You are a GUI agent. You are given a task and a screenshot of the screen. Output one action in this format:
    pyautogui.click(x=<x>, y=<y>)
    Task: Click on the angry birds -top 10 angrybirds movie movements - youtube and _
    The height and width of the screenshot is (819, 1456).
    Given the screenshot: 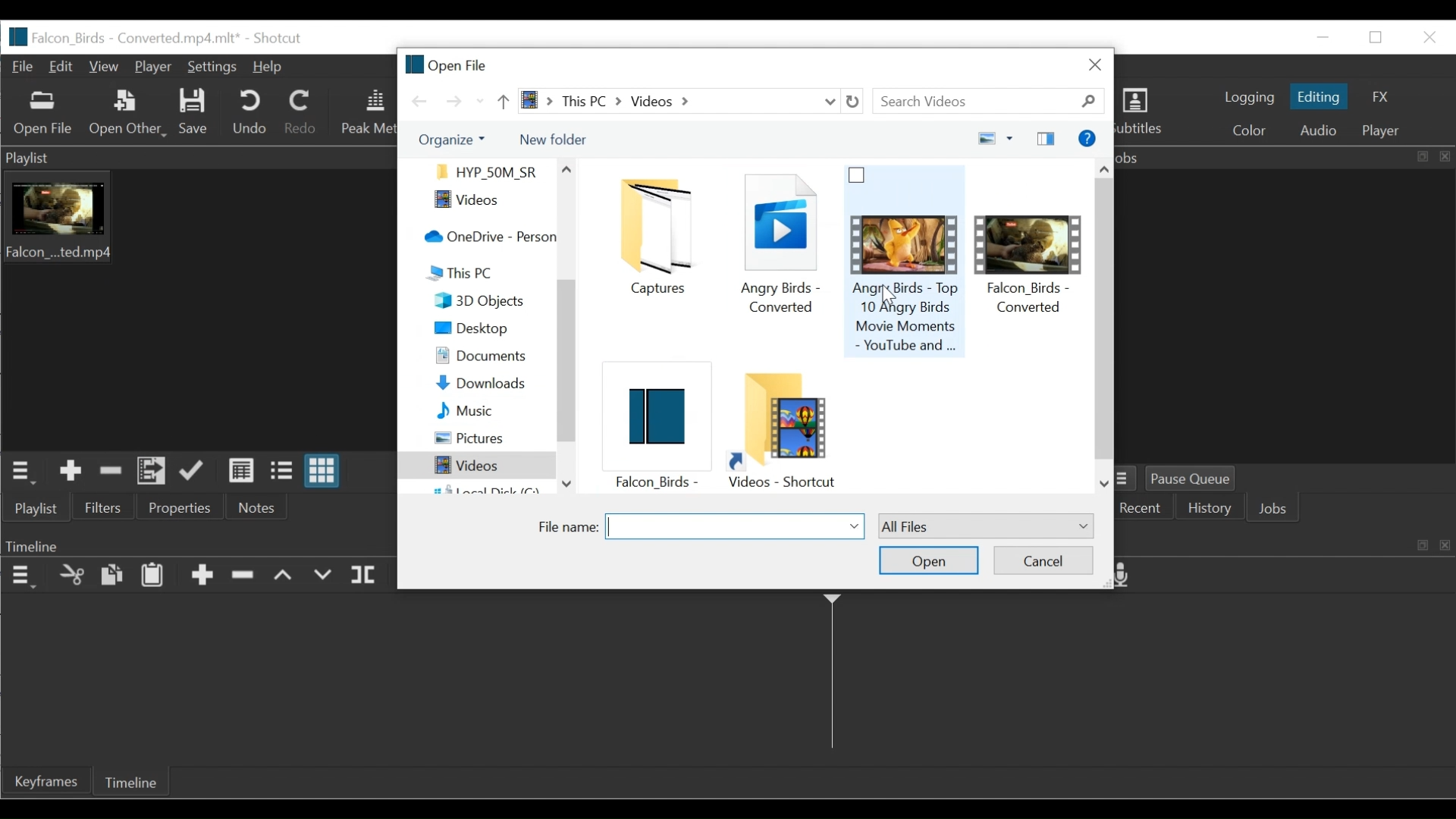 What is the action you would take?
    pyautogui.click(x=907, y=262)
    